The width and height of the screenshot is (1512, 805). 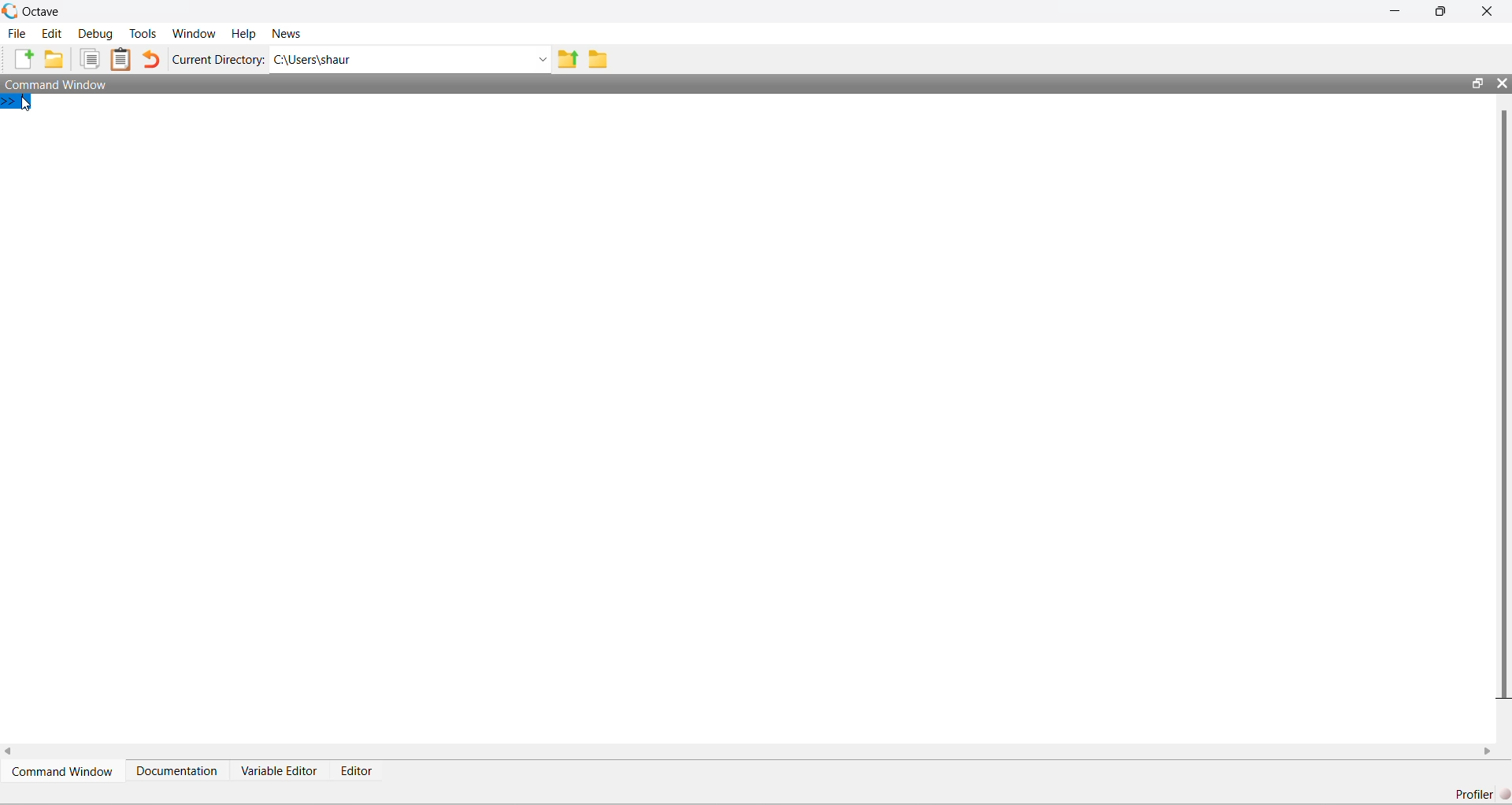 I want to click on scroll right, so click(x=1488, y=751).